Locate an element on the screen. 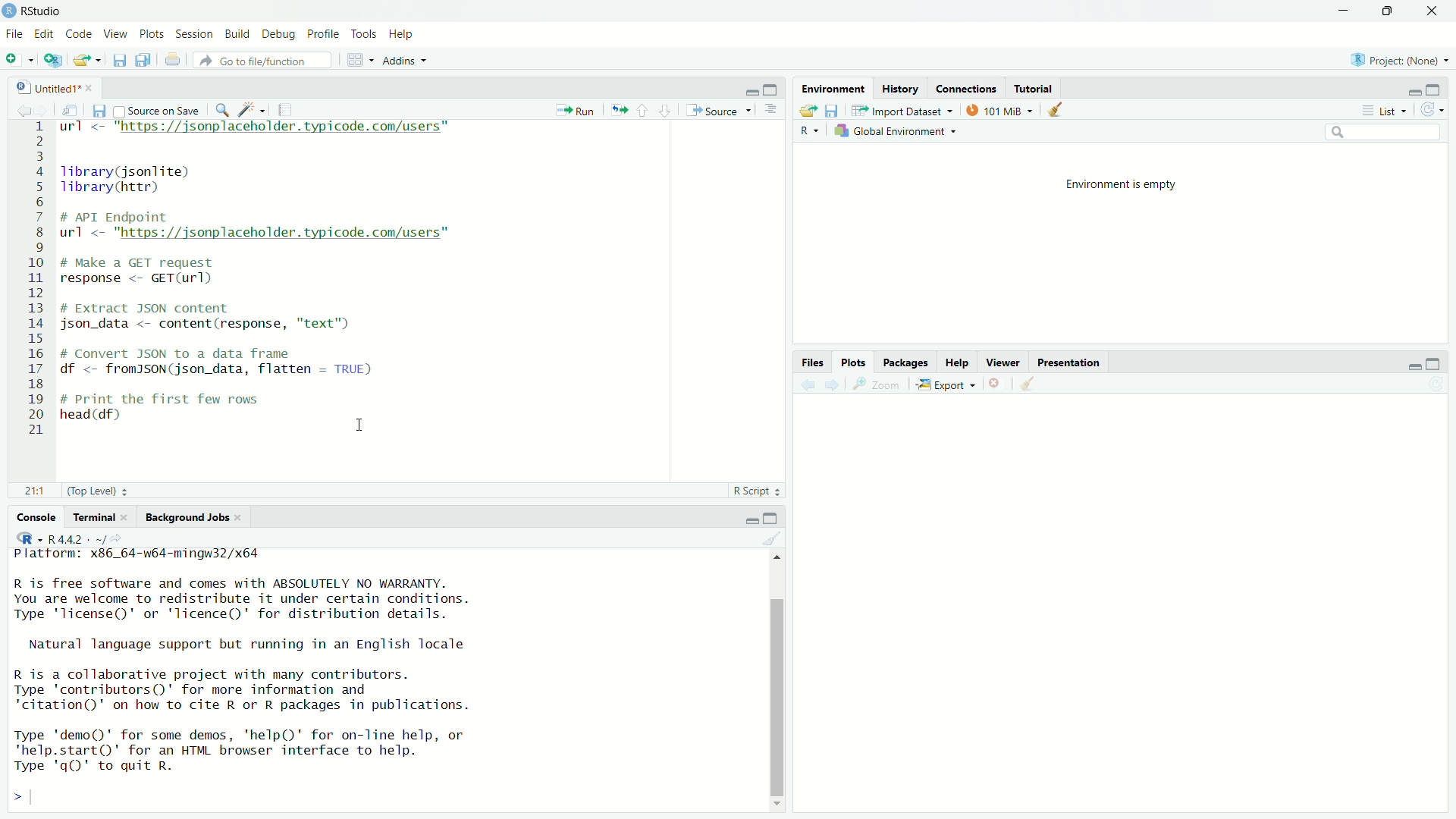 Image resolution: width=1456 pixels, height=819 pixels. Show in new window is located at coordinates (68, 111).